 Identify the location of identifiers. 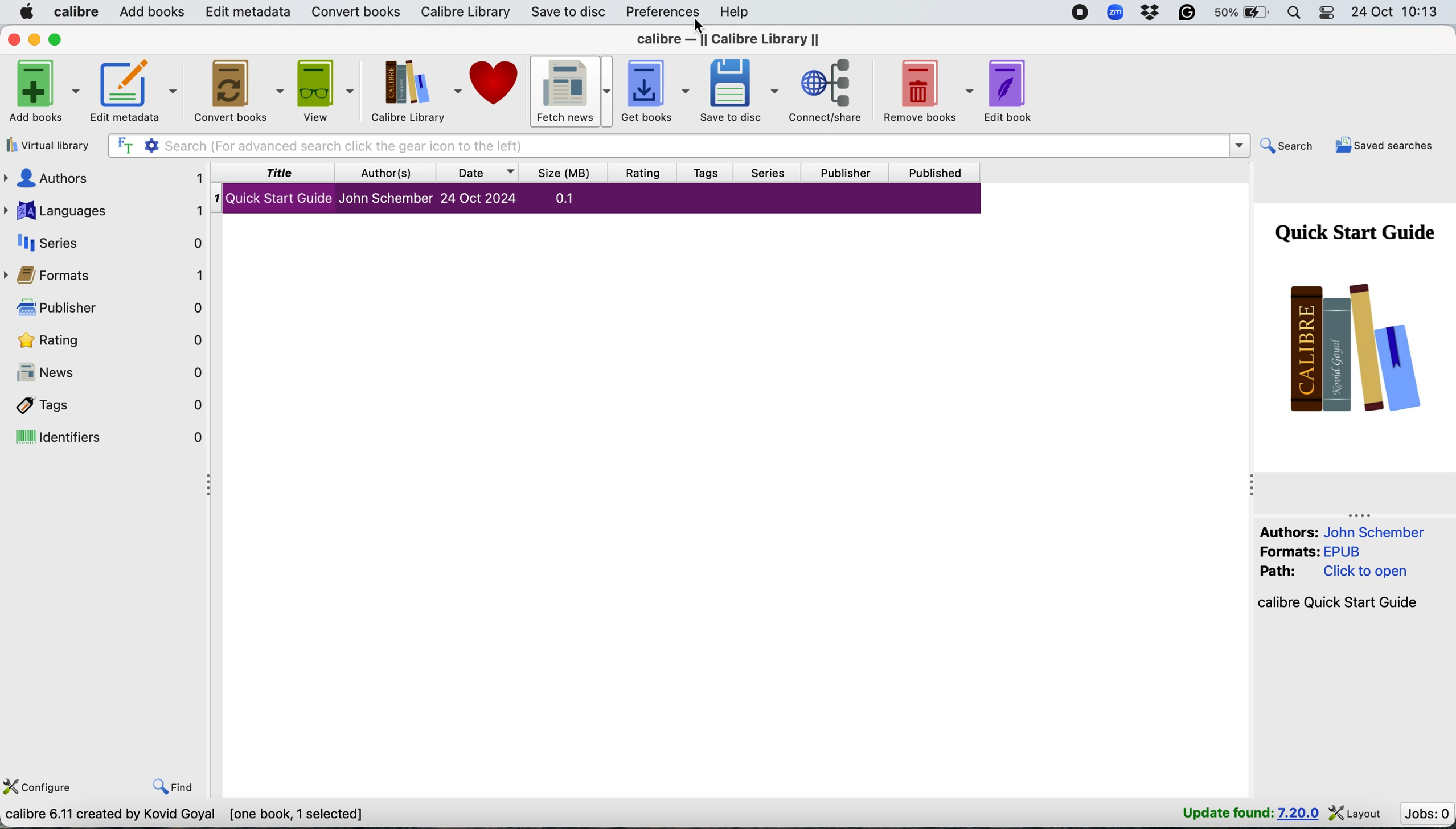
(110, 440).